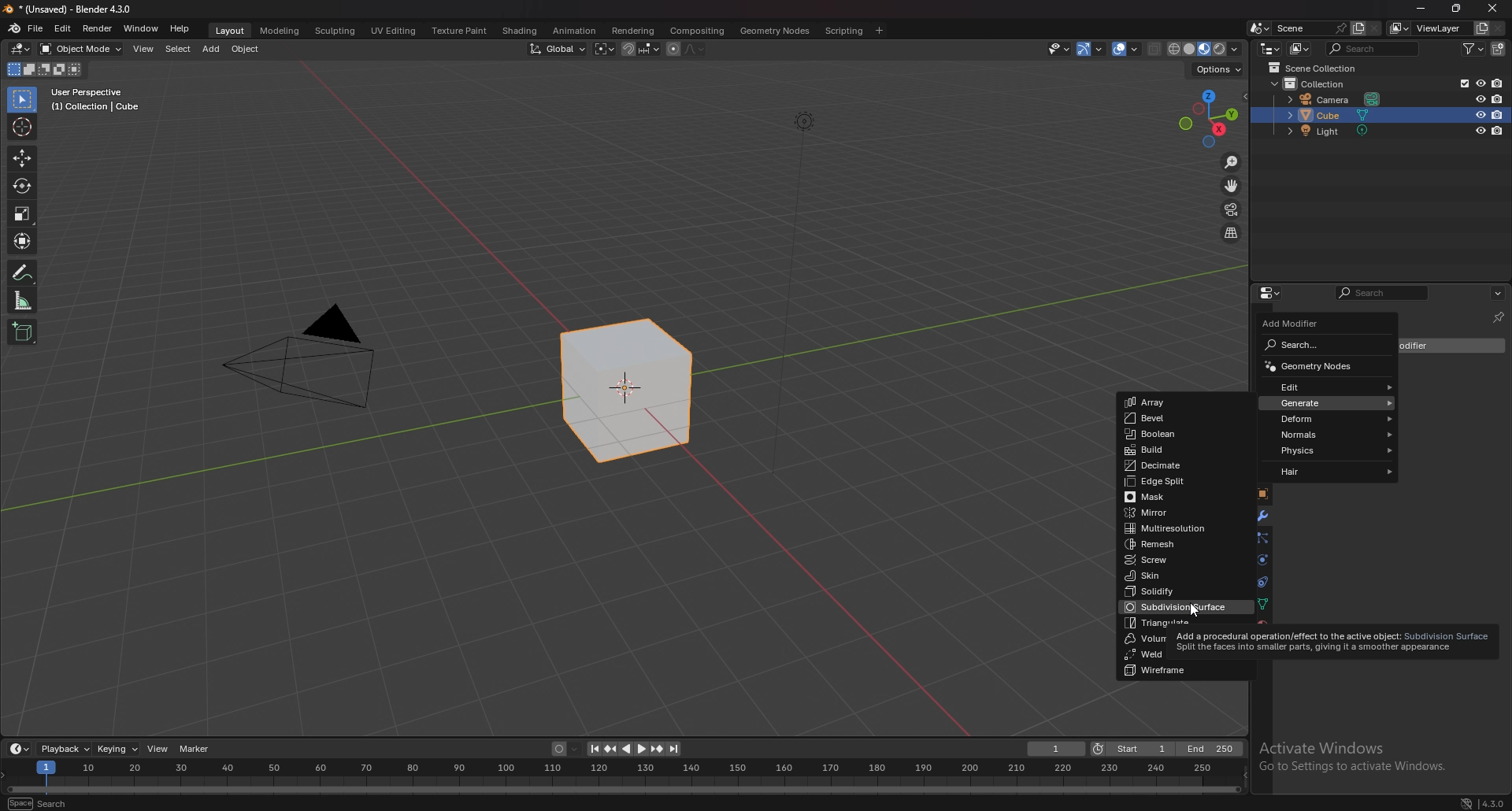 This screenshot has height=811, width=1512. Describe the element at coordinates (1493, 316) in the screenshot. I see `pinnned` at that location.